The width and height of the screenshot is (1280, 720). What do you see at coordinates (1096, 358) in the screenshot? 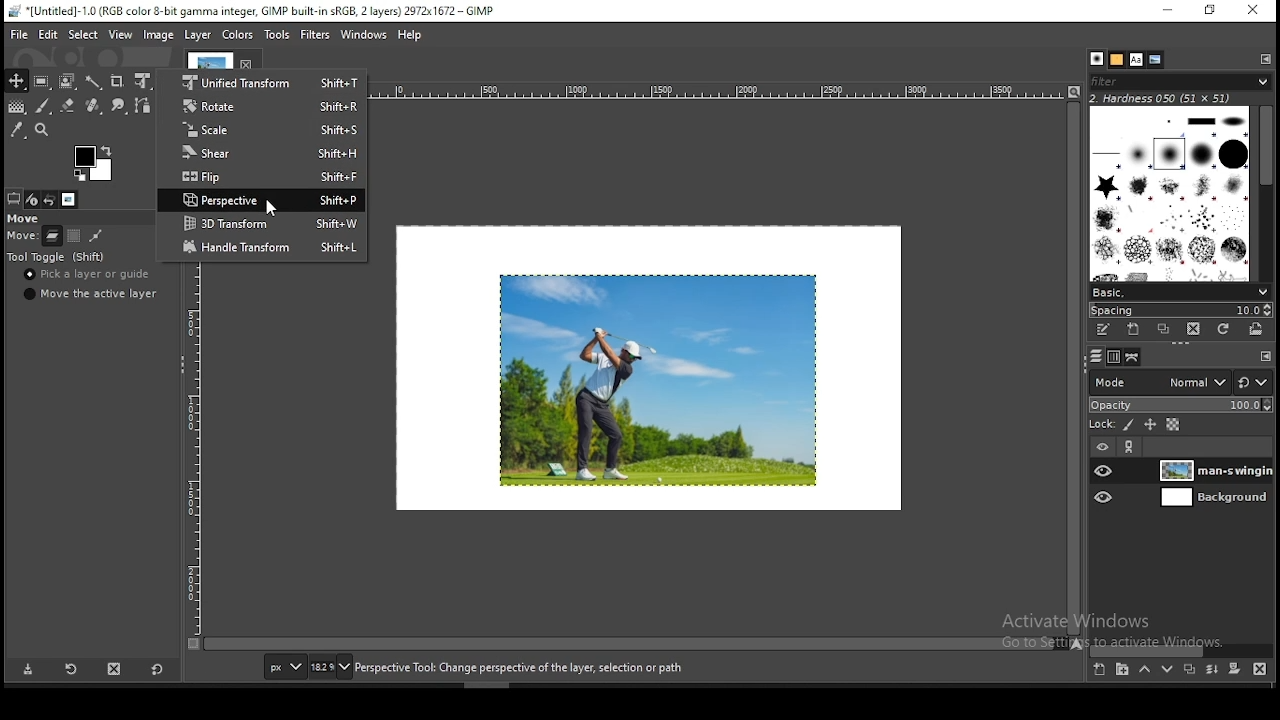
I see `layers` at bounding box center [1096, 358].